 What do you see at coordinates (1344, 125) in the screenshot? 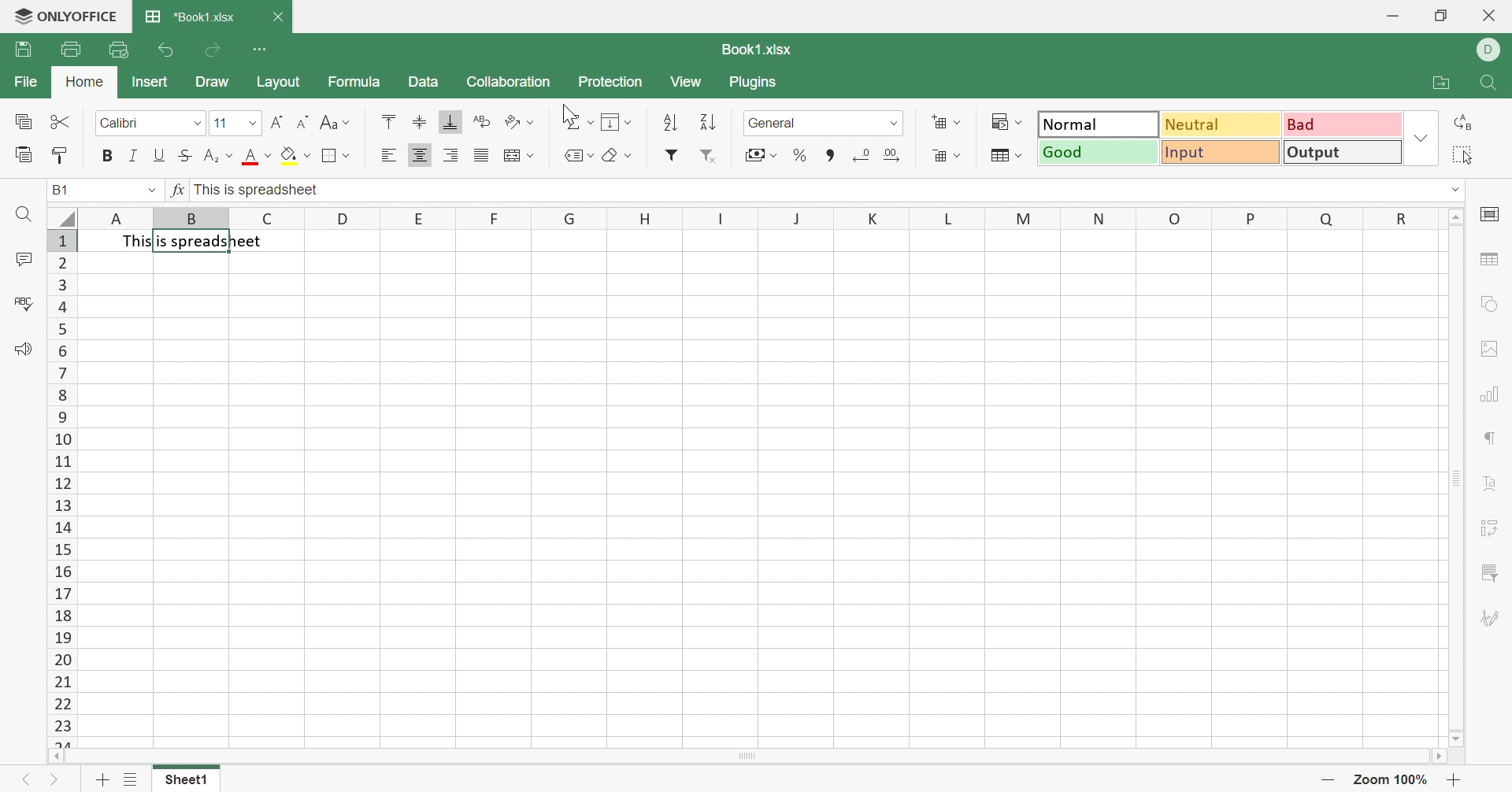
I see `Bad` at bounding box center [1344, 125].